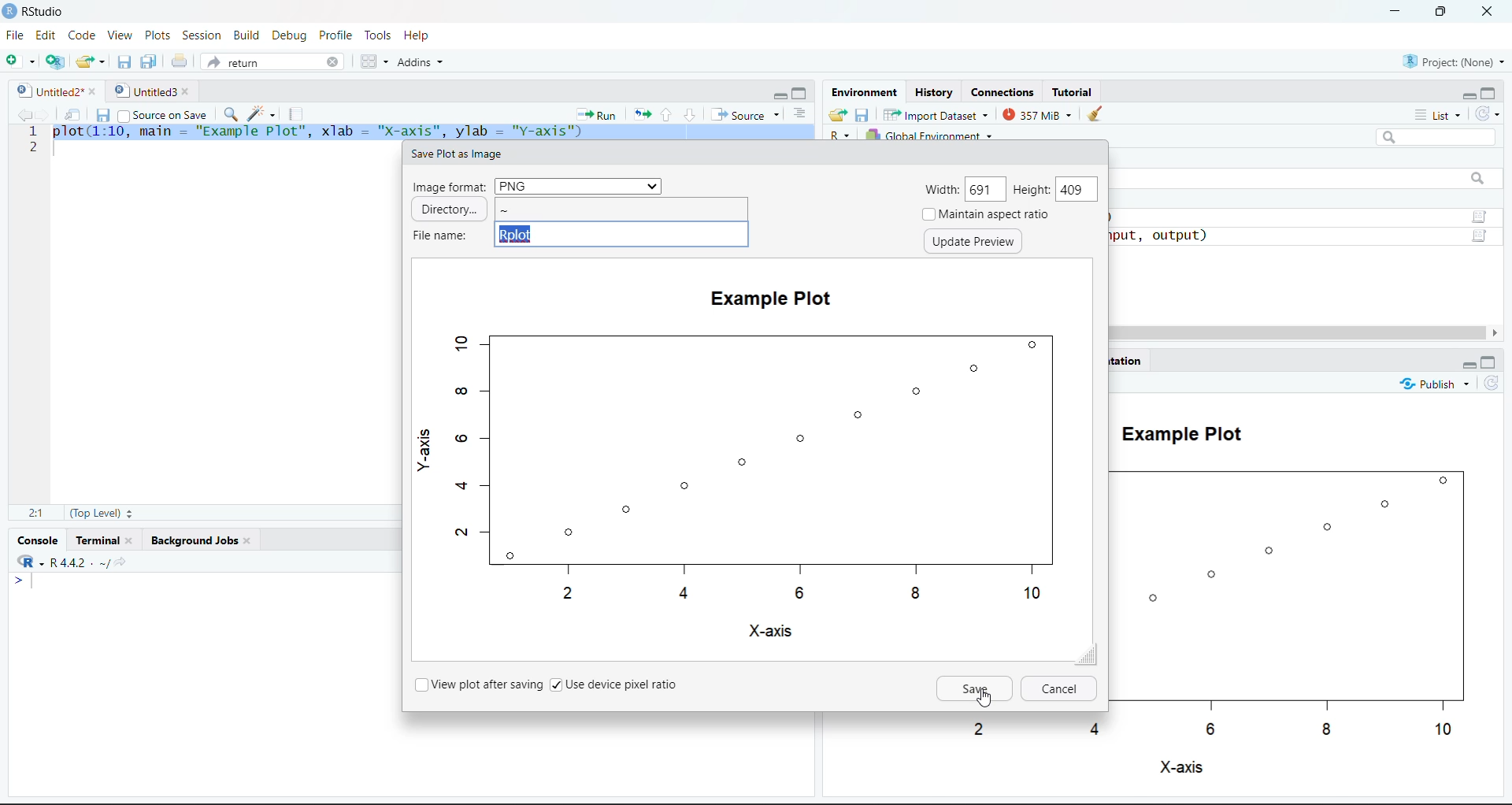 This screenshot has height=805, width=1512. What do you see at coordinates (159, 35) in the screenshot?
I see `Posts` at bounding box center [159, 35].